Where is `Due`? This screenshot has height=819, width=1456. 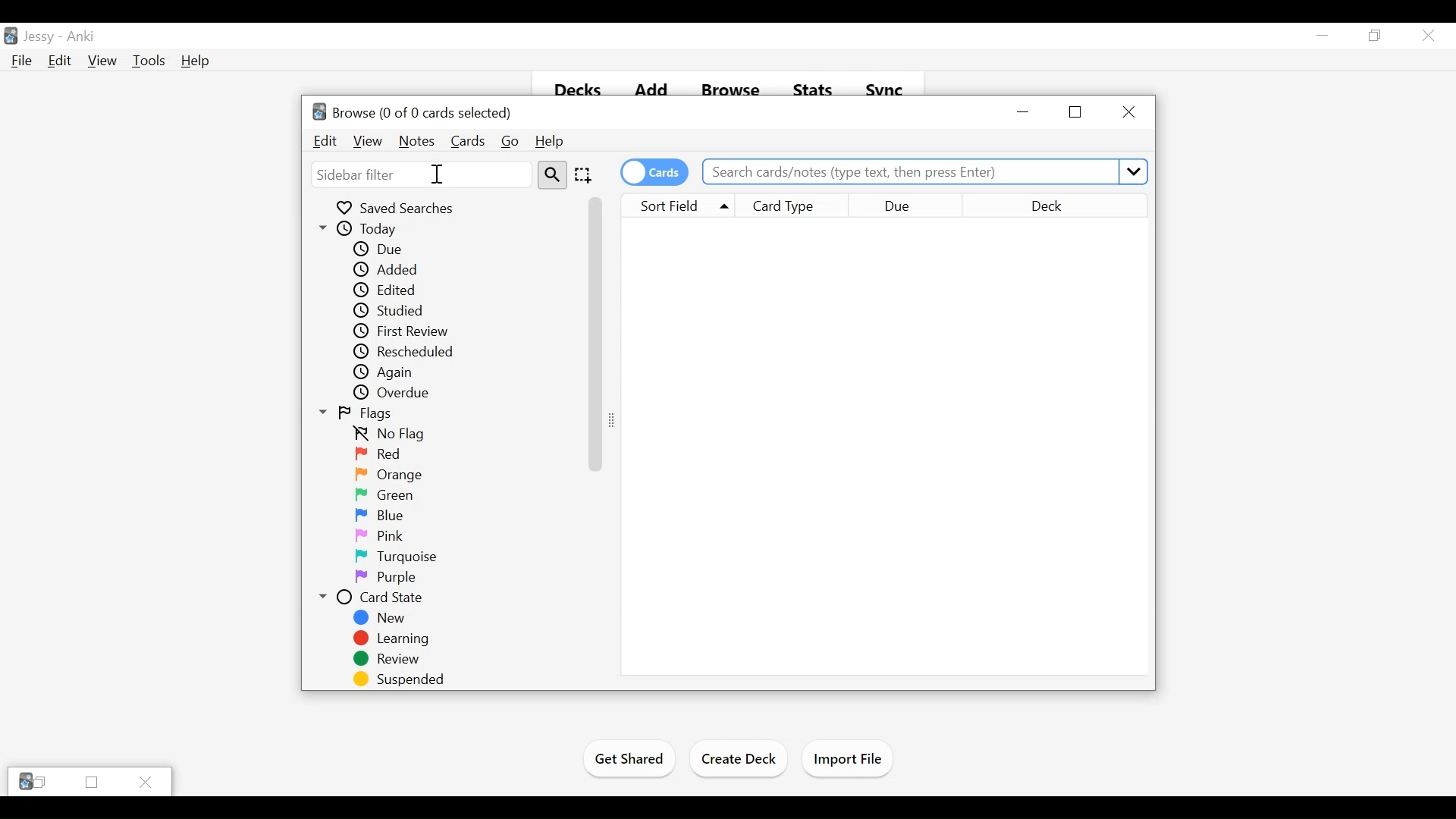
Due is located at coordinates (927, 206).